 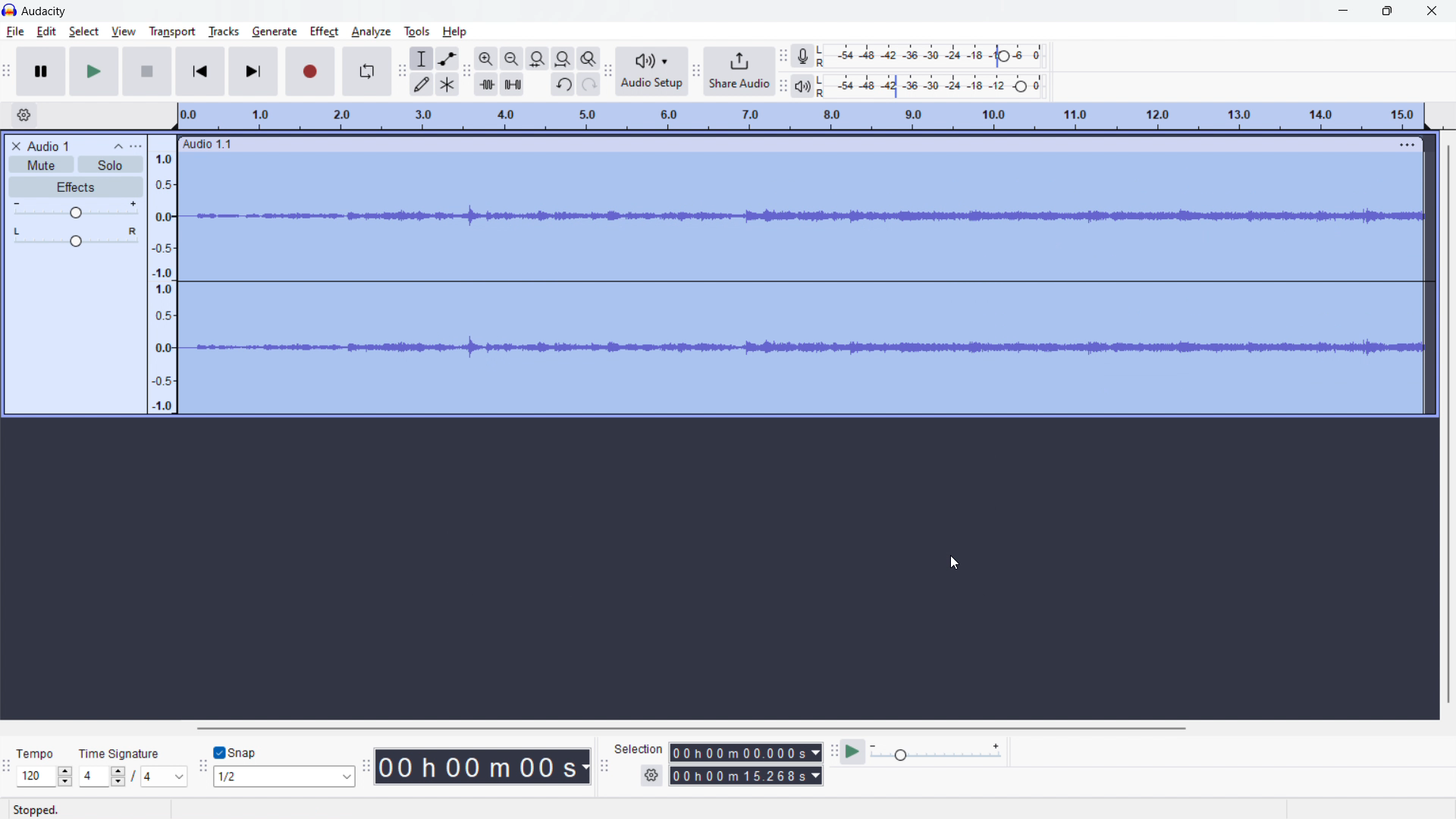 What do you see at coordinates (147, 71) in the screenshot?
I see `stop` at bounding box center [147, 71].